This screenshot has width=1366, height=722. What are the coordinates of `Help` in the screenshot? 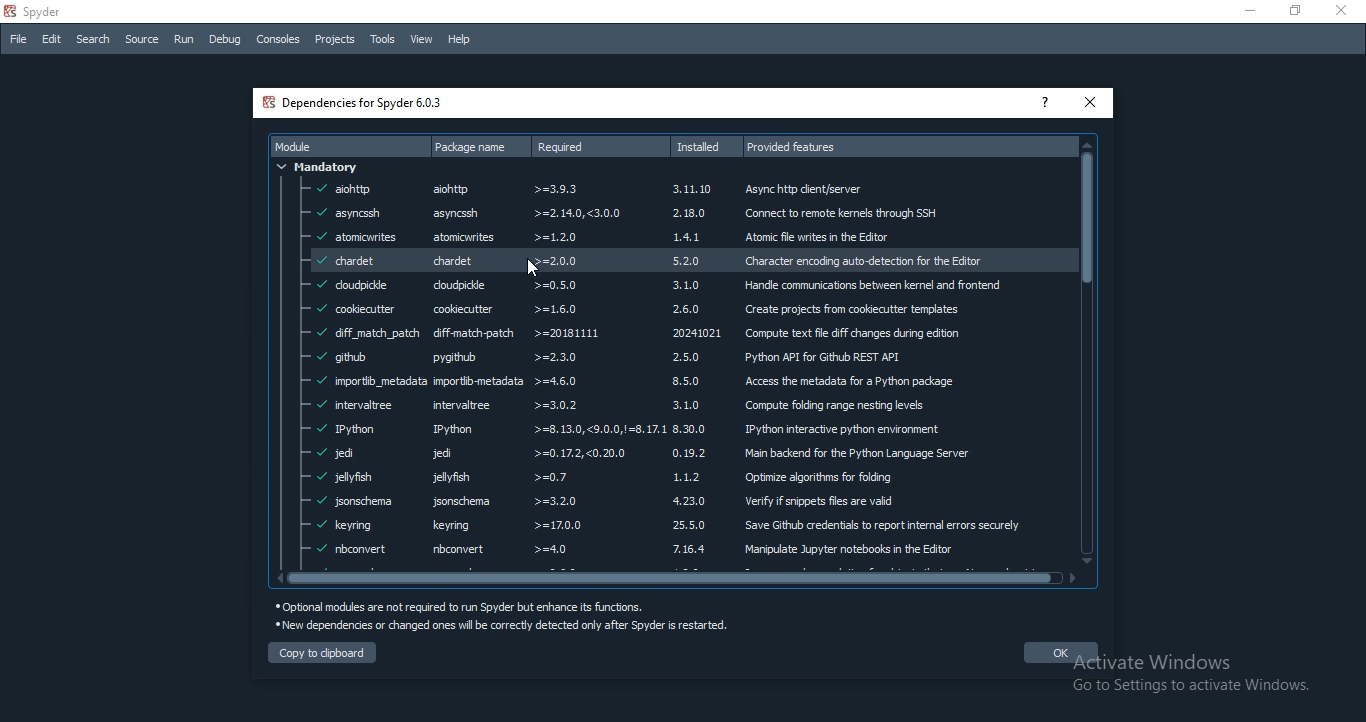 It's located at (460, 40).